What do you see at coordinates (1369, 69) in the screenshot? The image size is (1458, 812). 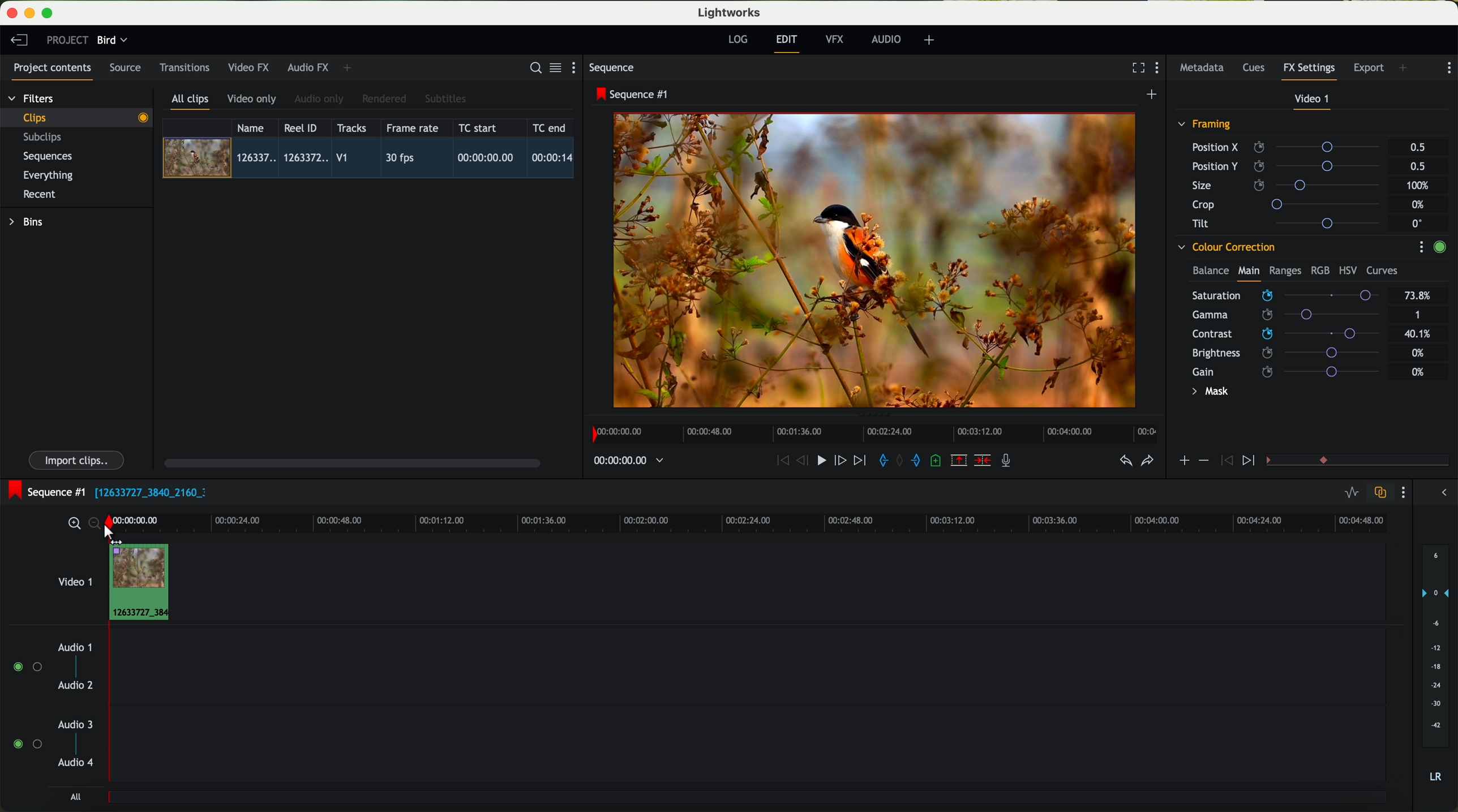 I see `export` at bounding box center [1369, 69].